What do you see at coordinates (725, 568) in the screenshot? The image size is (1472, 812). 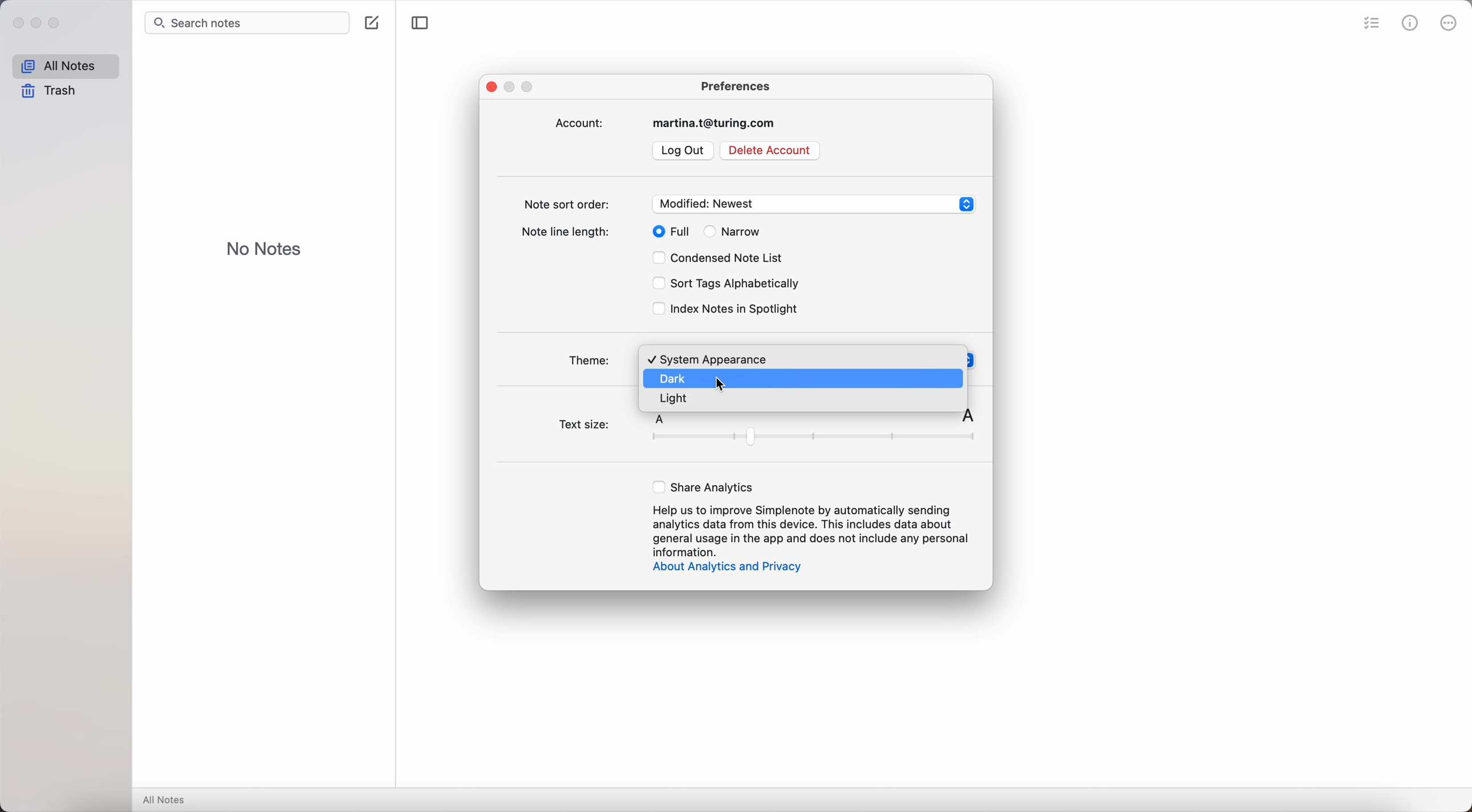 I see `about analytics and privacy` at bounding box center [725, 568].